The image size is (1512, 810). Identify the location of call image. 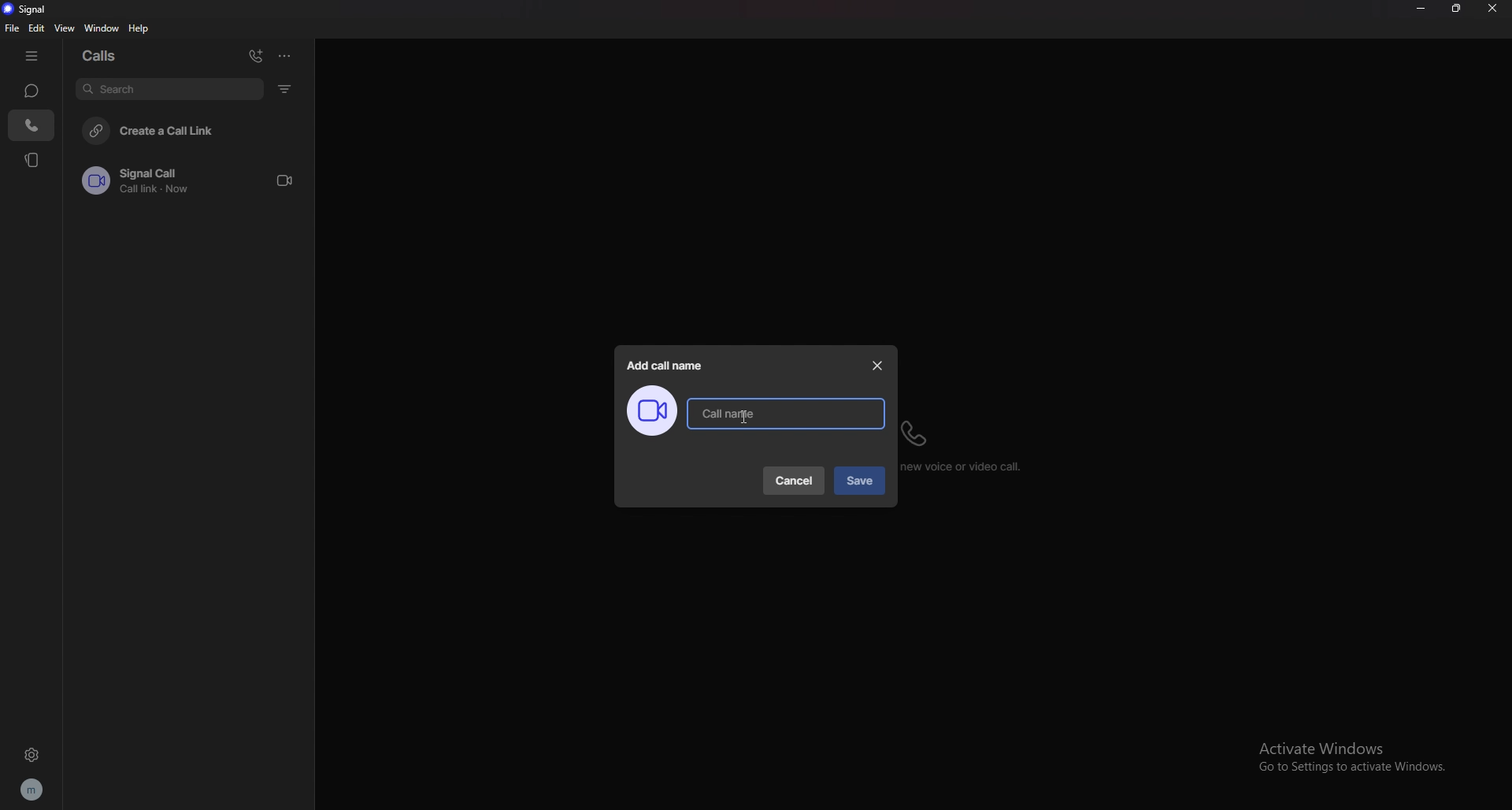
(651, 411).